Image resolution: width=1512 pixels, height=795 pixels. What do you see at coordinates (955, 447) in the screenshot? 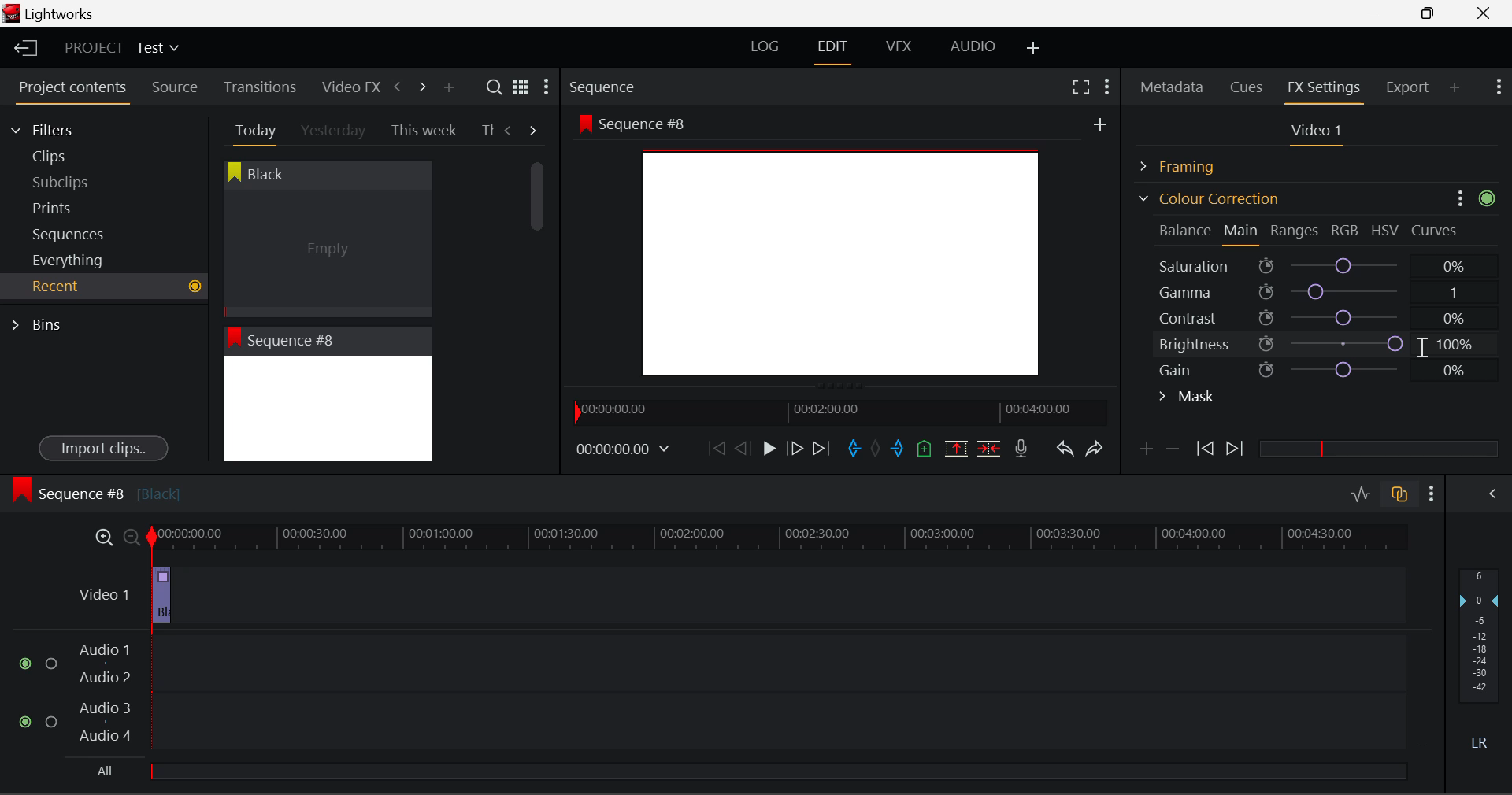
I see `Remove marked section` at bounding box center [955, 447].